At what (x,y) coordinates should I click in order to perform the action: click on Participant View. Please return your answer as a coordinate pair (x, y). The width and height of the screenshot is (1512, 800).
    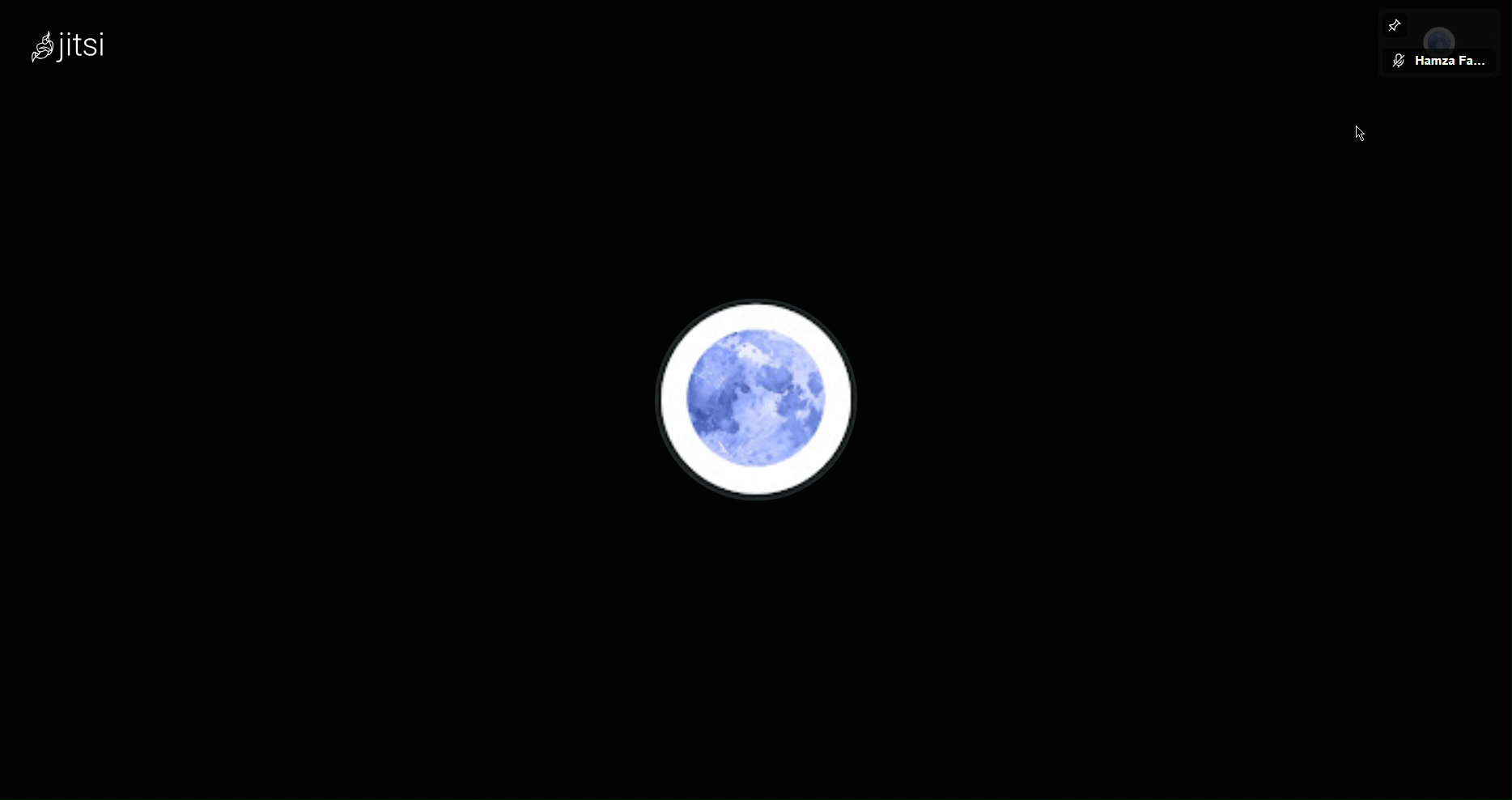
    Looking at the image, I should click on (1444, 62).